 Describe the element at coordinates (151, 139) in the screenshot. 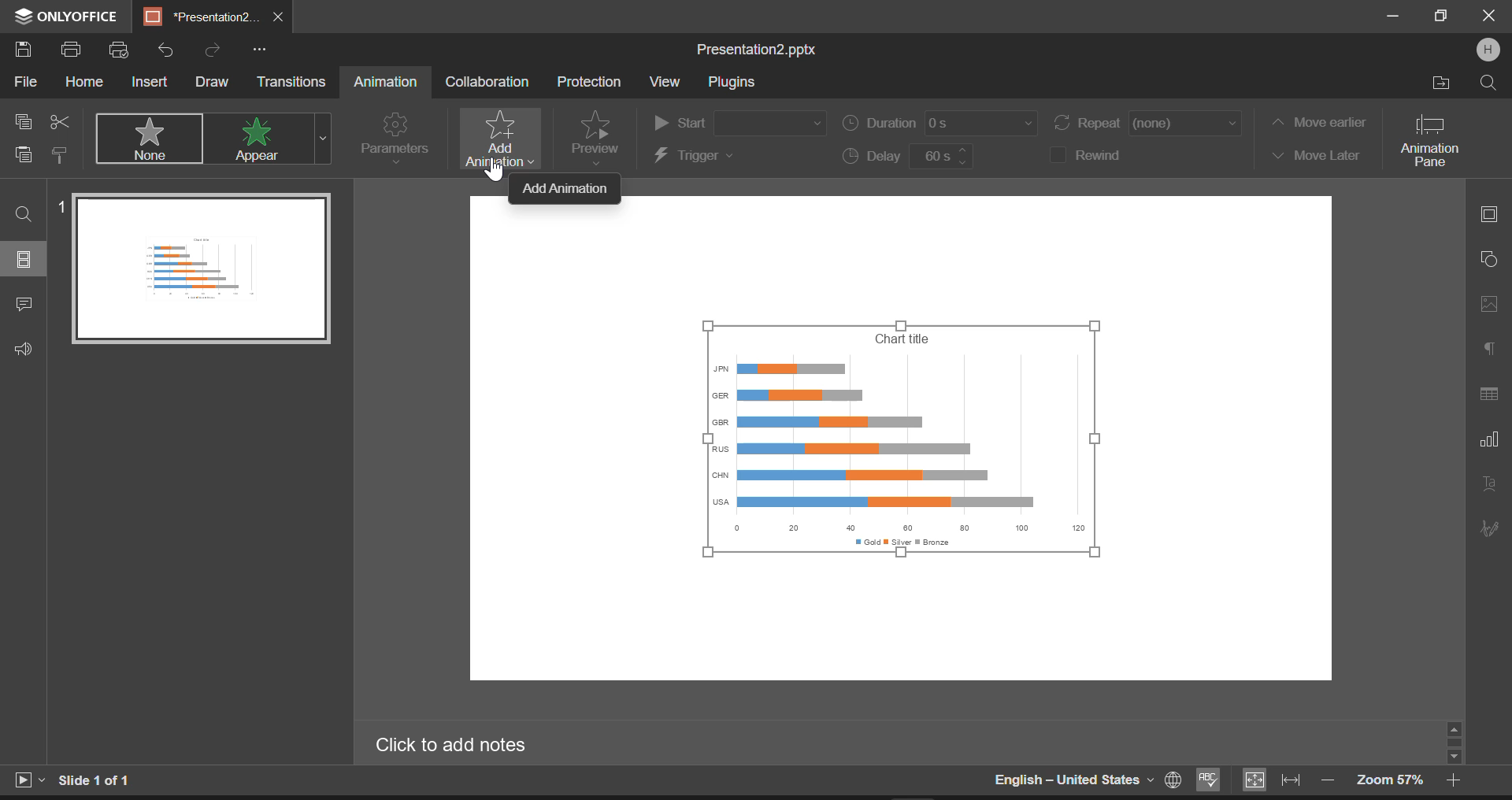

I see `None` at that location.